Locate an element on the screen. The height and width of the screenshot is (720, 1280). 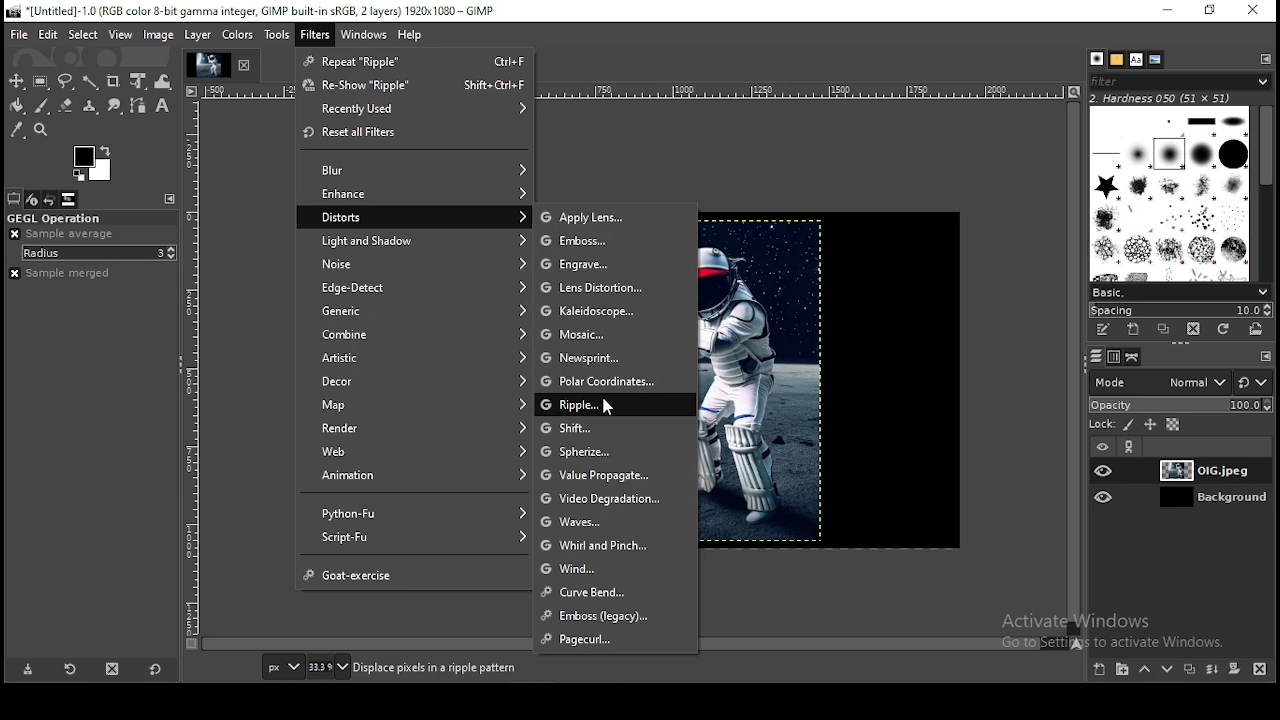
lock: is located at coordinates (1100, 424).